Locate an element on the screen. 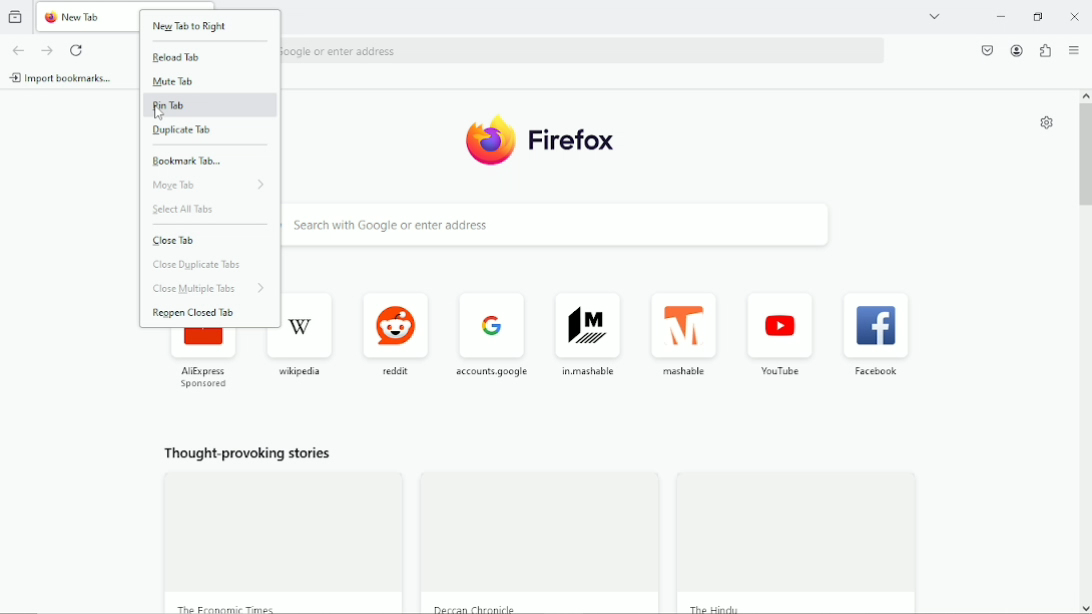 This screenshot has width=1092, height=614. YouTube is located at coordinates (782, 338).